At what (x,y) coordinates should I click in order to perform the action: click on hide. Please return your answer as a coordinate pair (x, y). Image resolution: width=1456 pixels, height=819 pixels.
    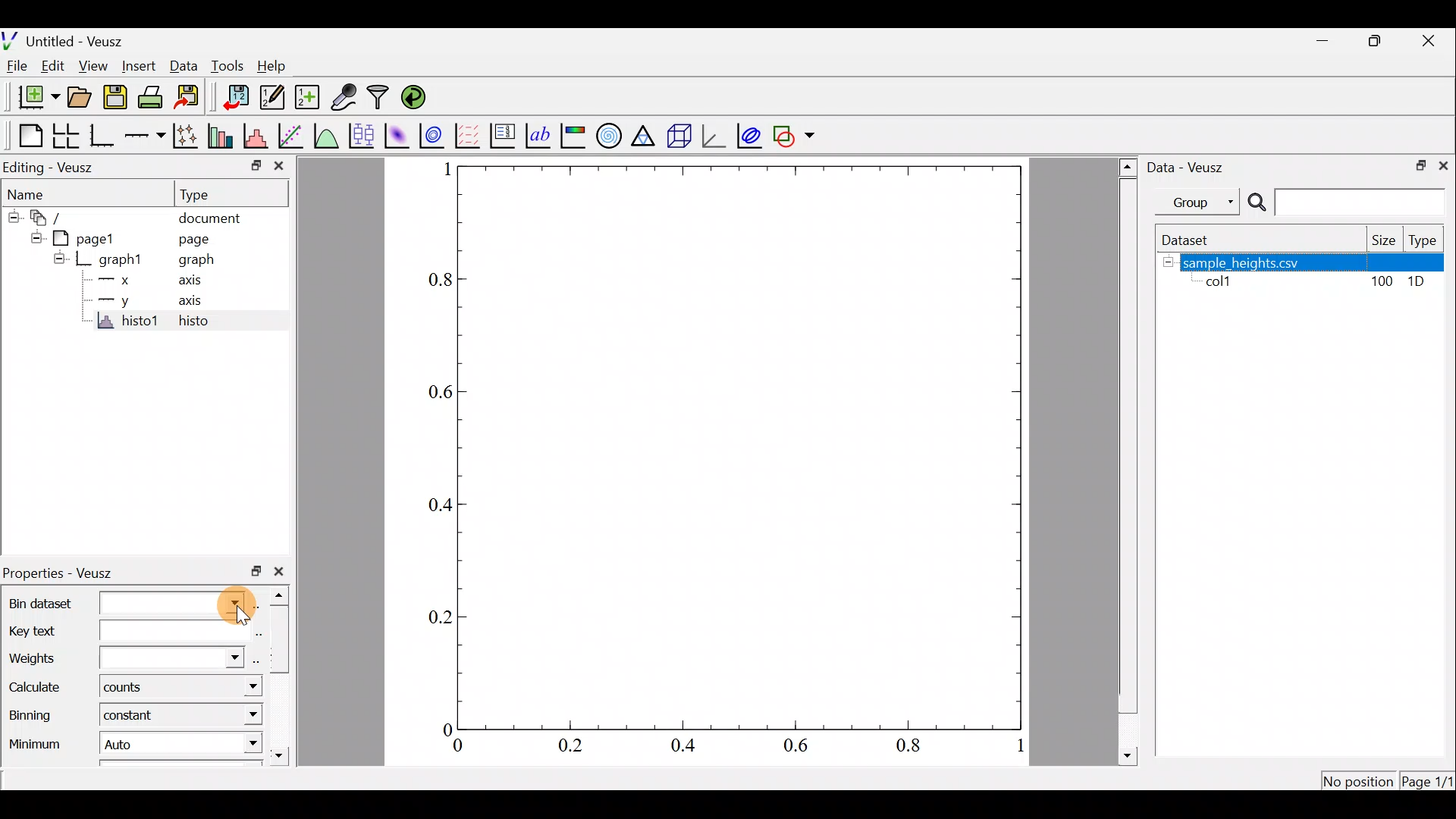
    Looking at the image, I should click on (33, 237).